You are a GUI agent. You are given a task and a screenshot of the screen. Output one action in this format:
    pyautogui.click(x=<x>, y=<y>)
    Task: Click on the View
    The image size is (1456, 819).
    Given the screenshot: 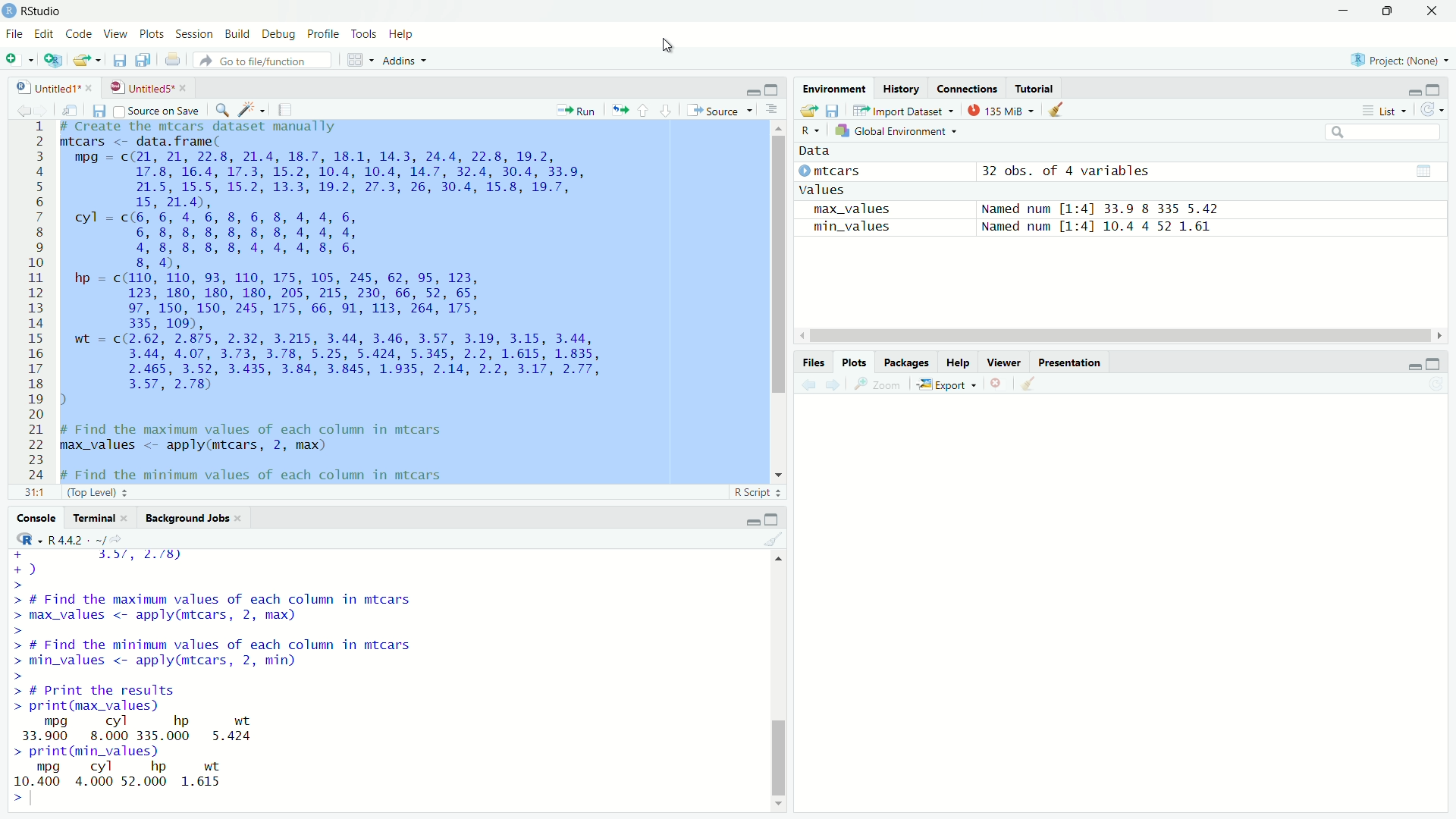 What is the action you would take?
    pyautogui.click(x=118, y=33)
    